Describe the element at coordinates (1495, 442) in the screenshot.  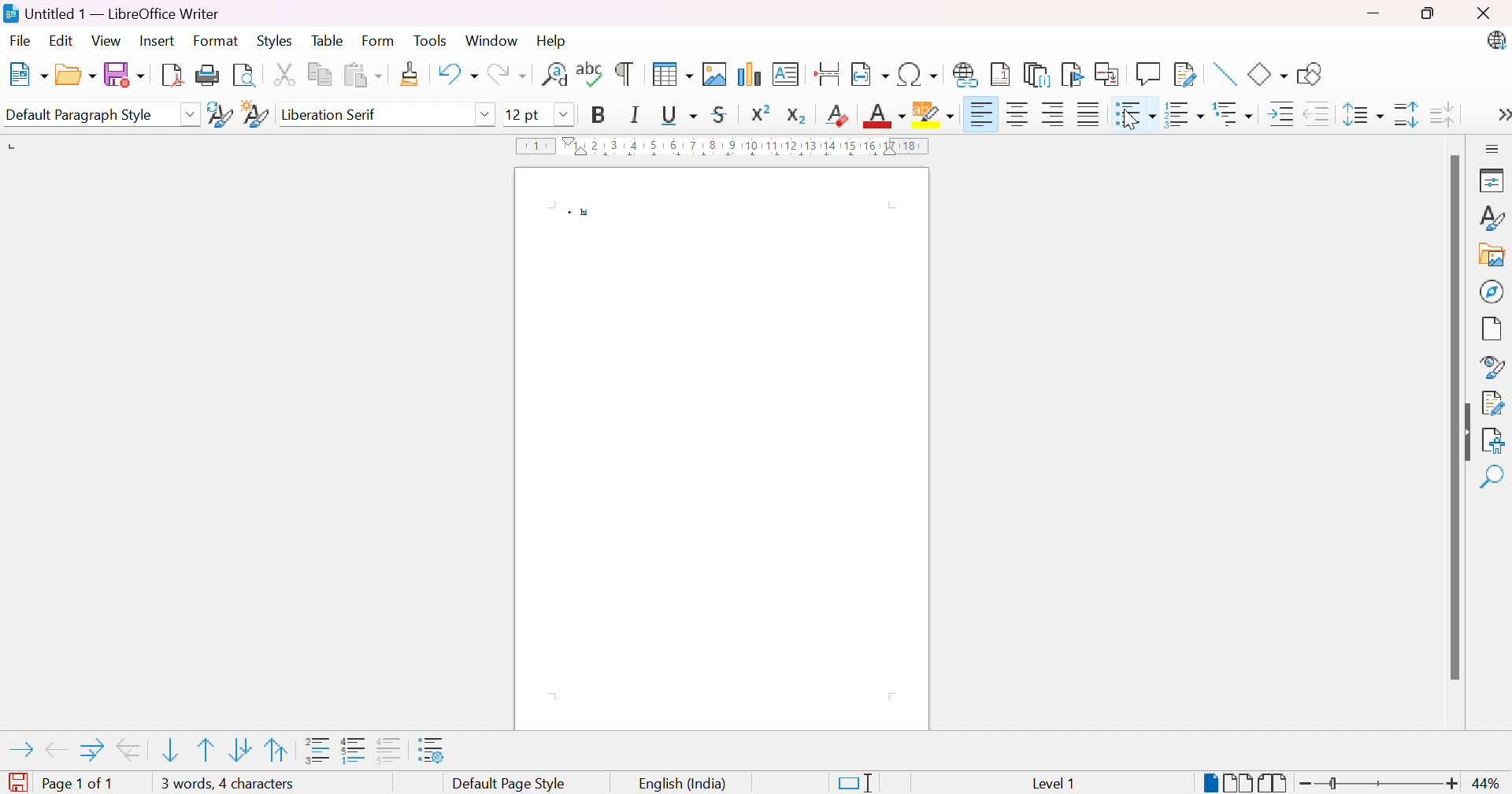
I see `Accessibility check` at that location.